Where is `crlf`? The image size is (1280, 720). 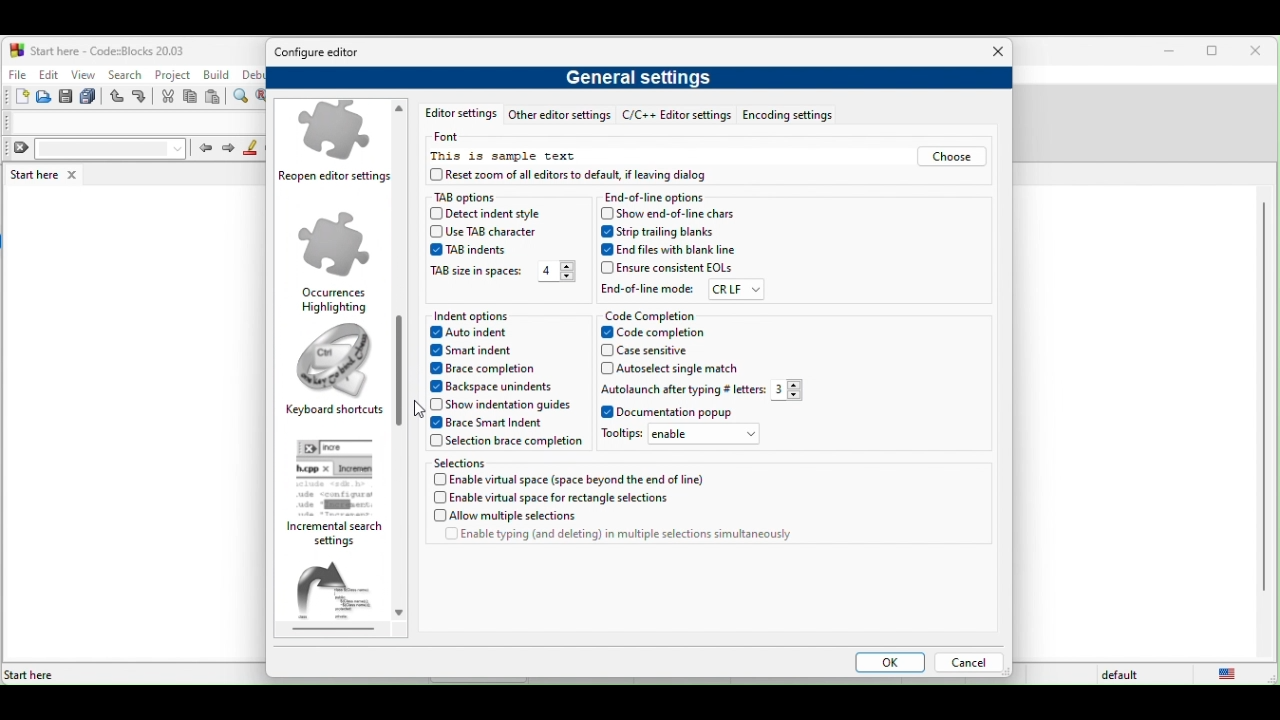
crlf is located at coordinates (736, 290).